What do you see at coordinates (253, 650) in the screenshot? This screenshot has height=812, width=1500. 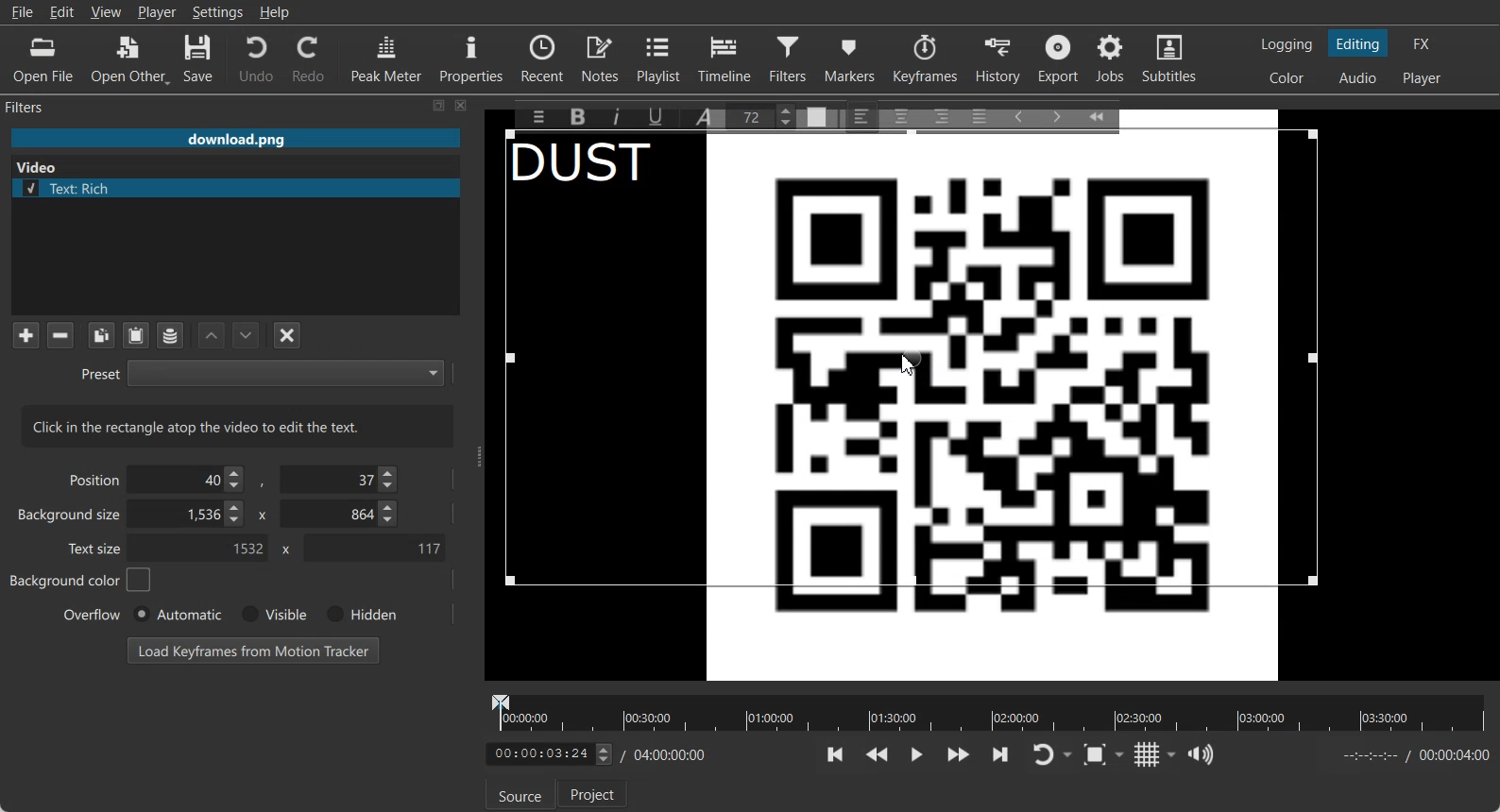 I see `Load Keyframe from Motion Tracker` at bounding box center [253, 650].